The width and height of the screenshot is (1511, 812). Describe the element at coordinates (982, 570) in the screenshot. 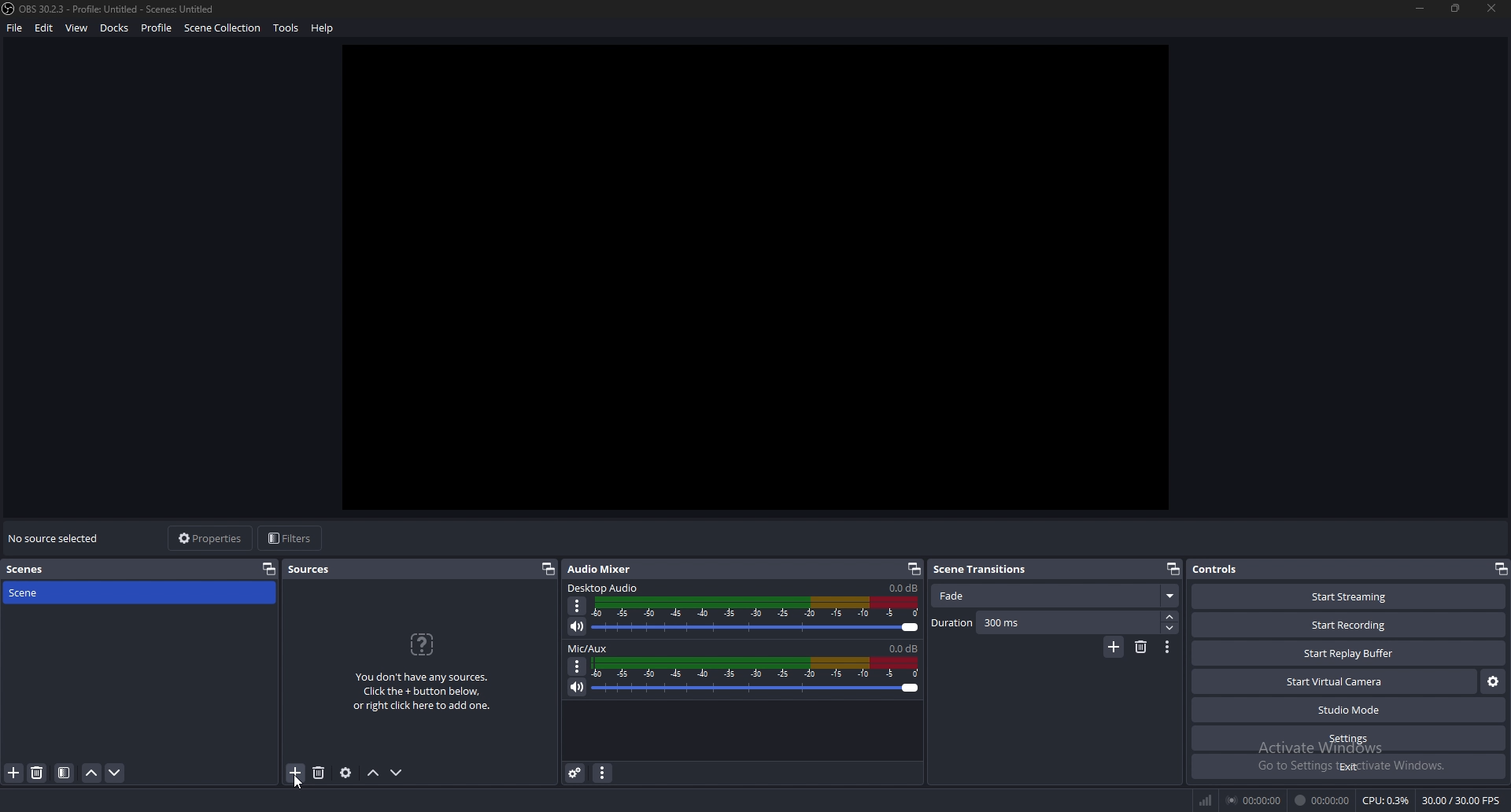

I see `scene transitions` at that location.